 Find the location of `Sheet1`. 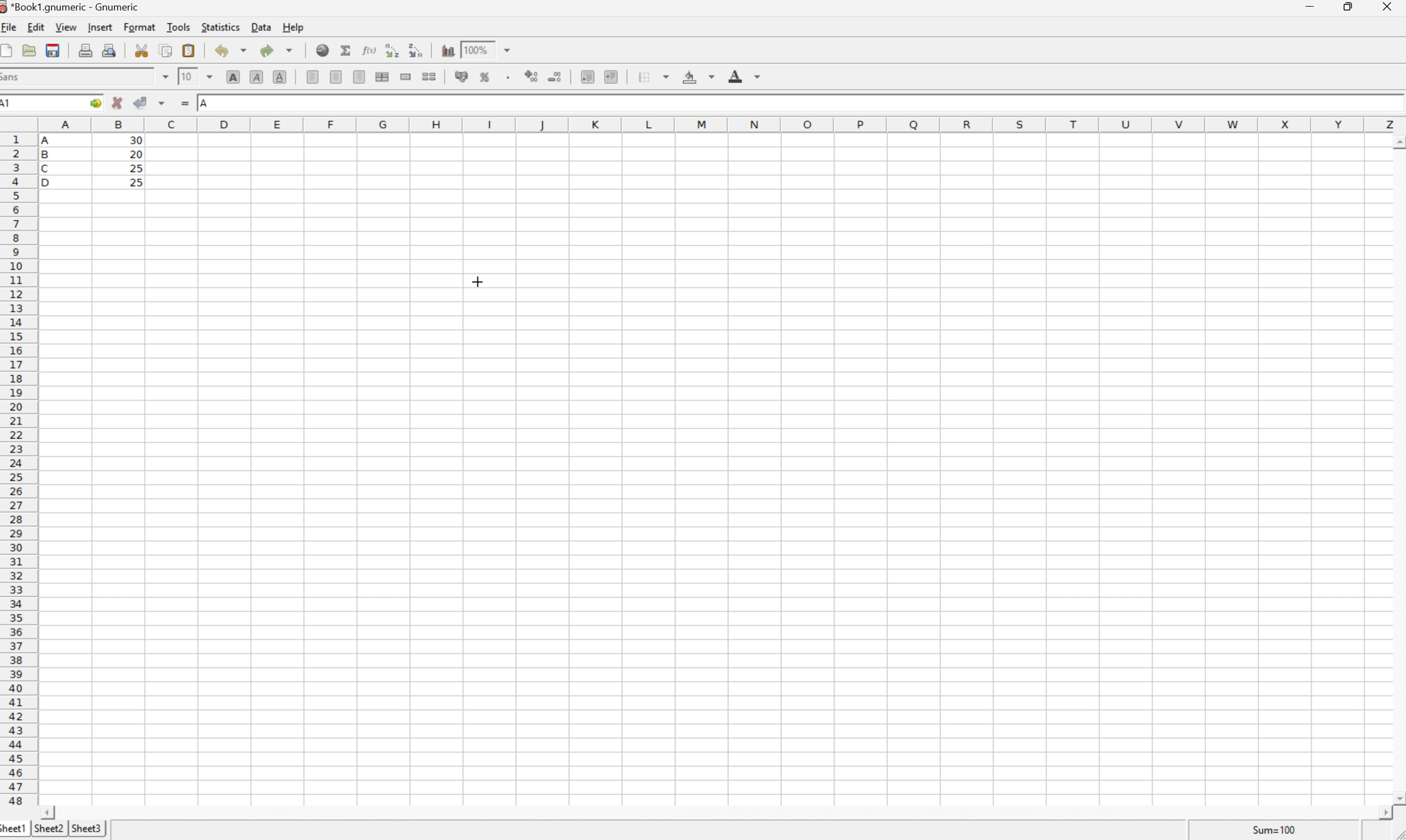

Sheet1 is located at coordinates (14, 830).